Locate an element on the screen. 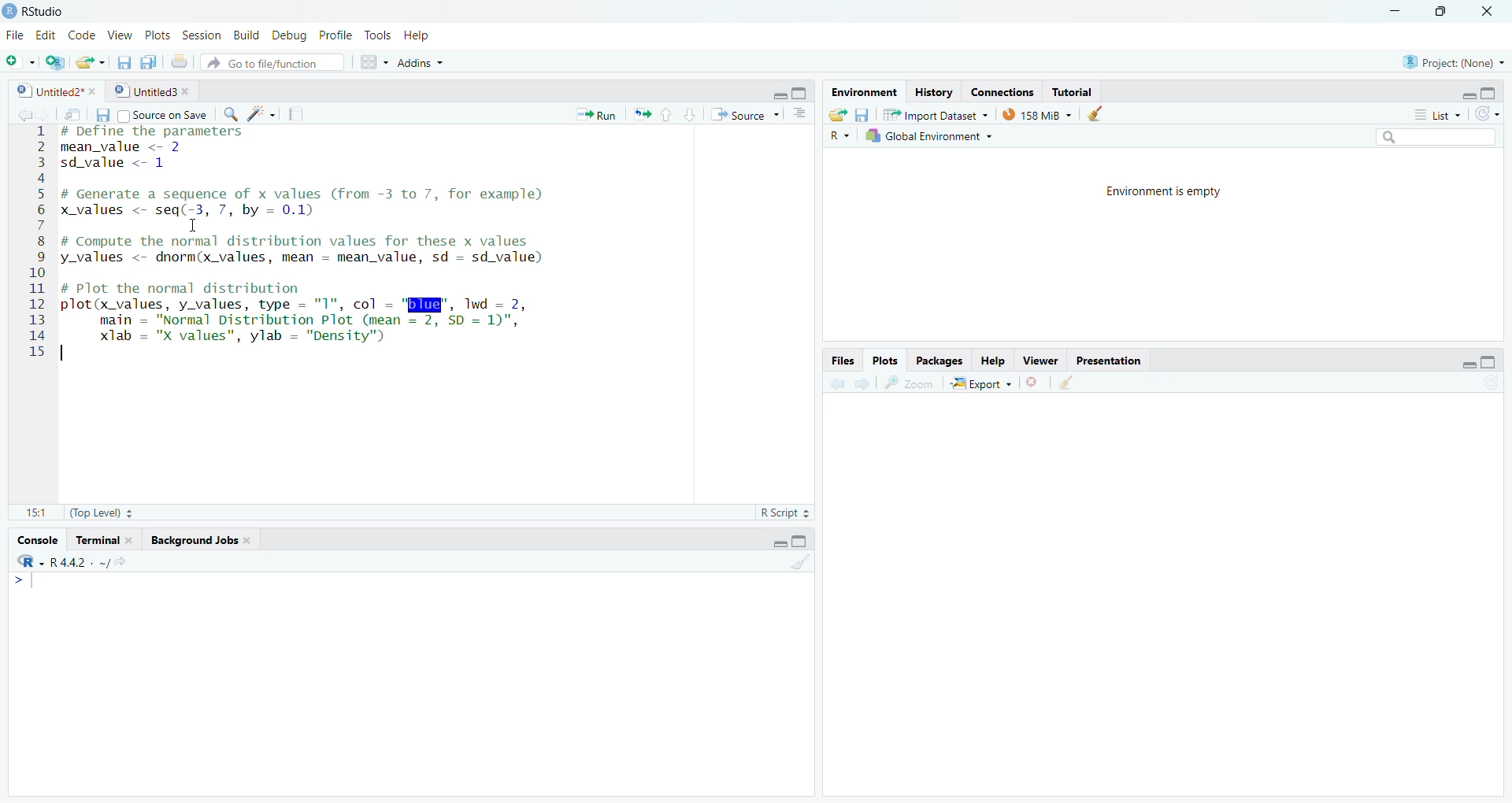  open file is located at coordinates (87, 61).